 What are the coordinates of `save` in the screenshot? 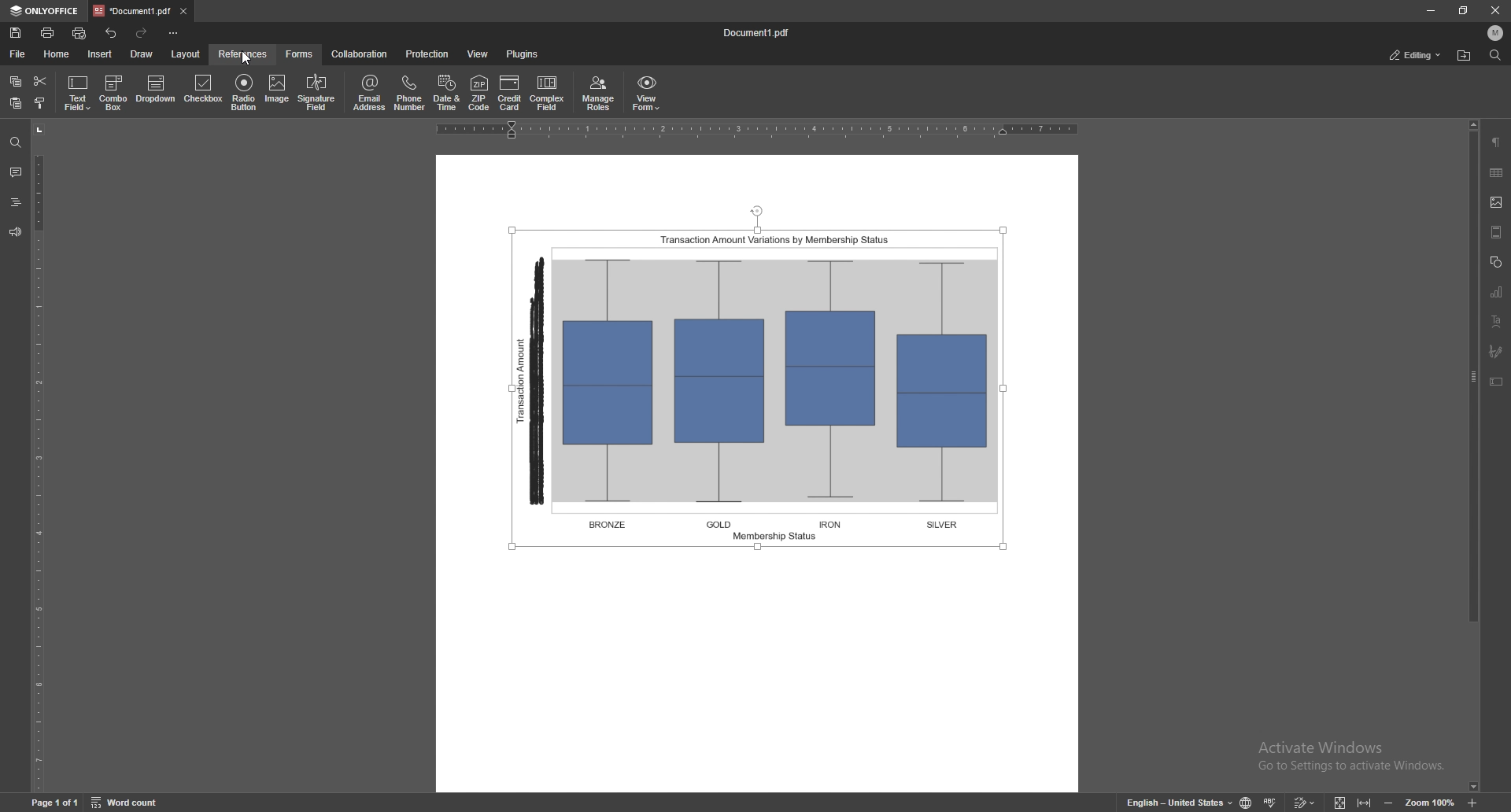 It's located at (17, 33).